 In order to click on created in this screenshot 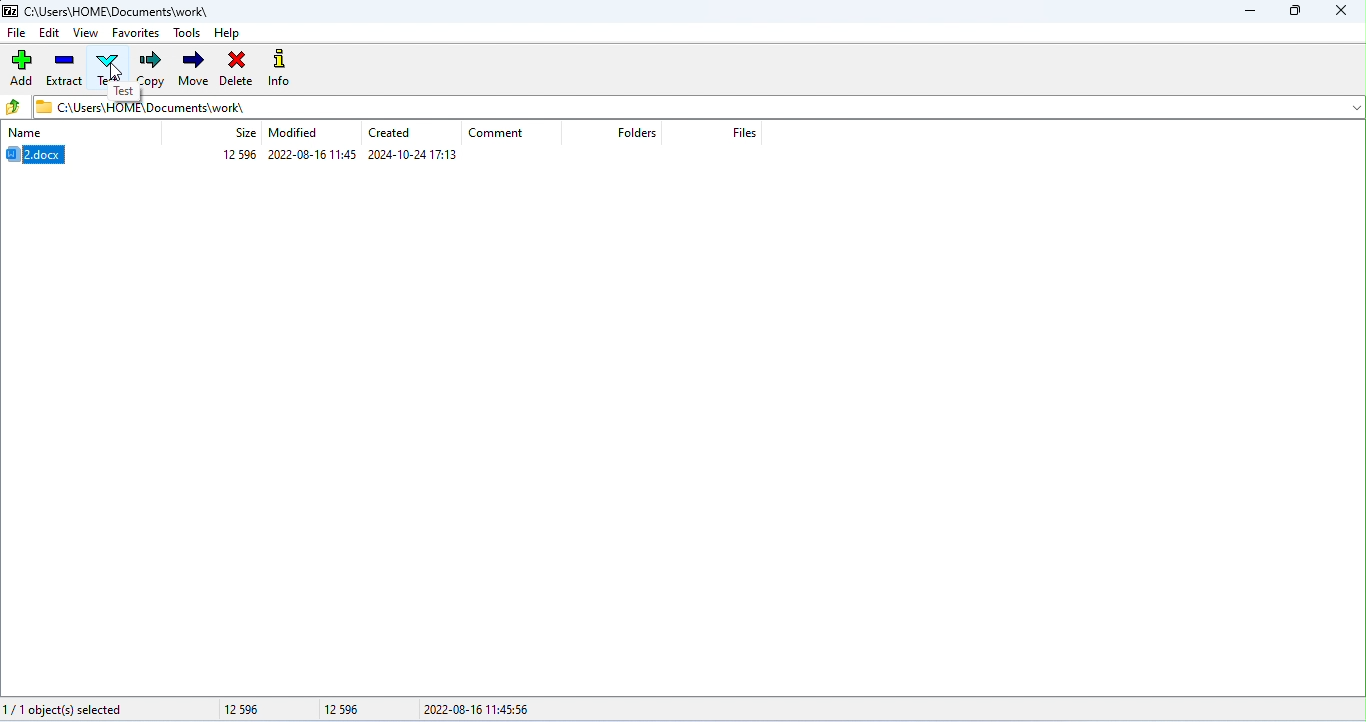, I will do `click(393, 132)`.